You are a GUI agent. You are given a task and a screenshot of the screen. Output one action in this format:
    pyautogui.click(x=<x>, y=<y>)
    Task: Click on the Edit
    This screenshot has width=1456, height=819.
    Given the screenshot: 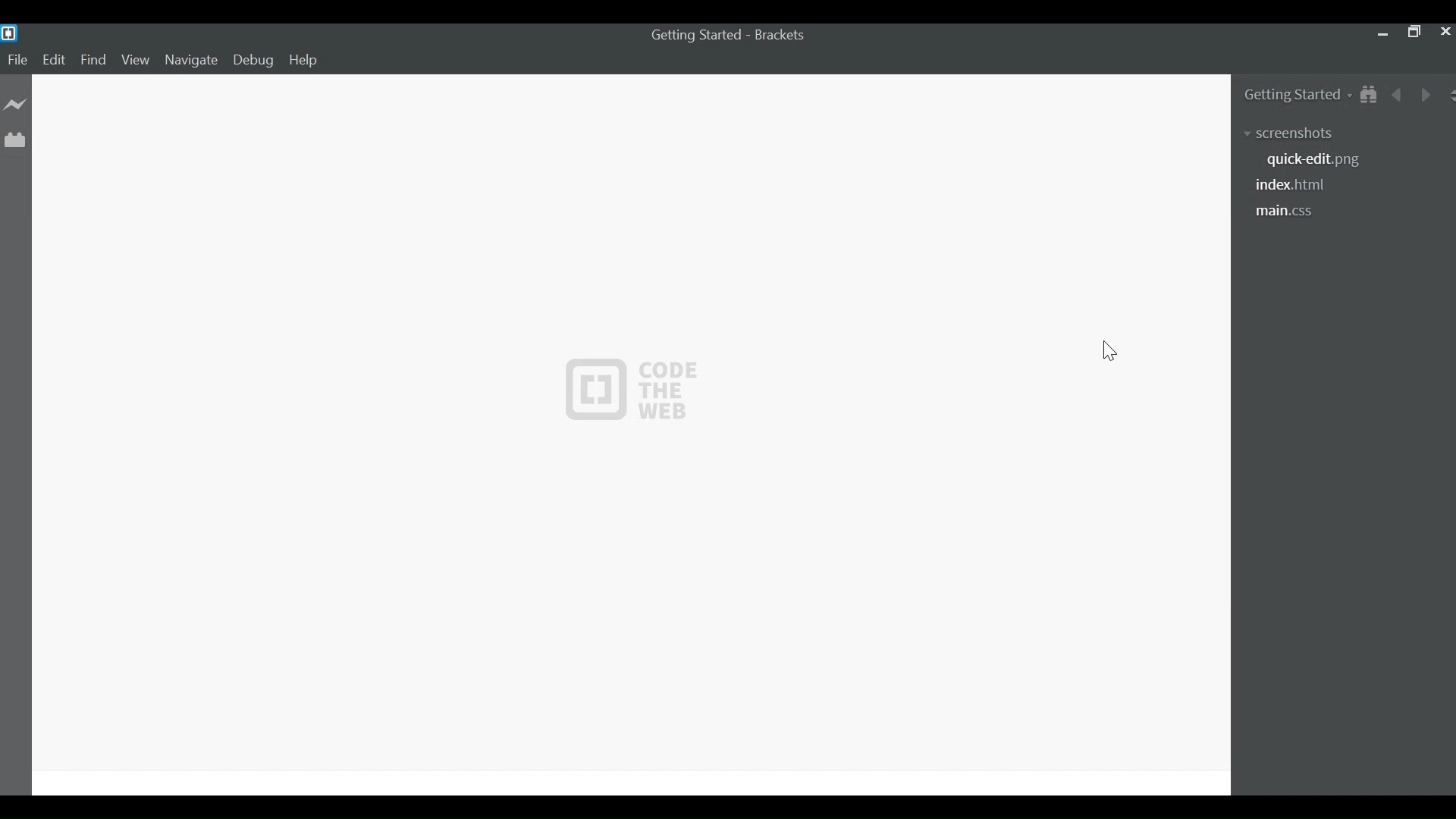 What is the action you would take?
    pyautogui.click(x=55, y=61)
    